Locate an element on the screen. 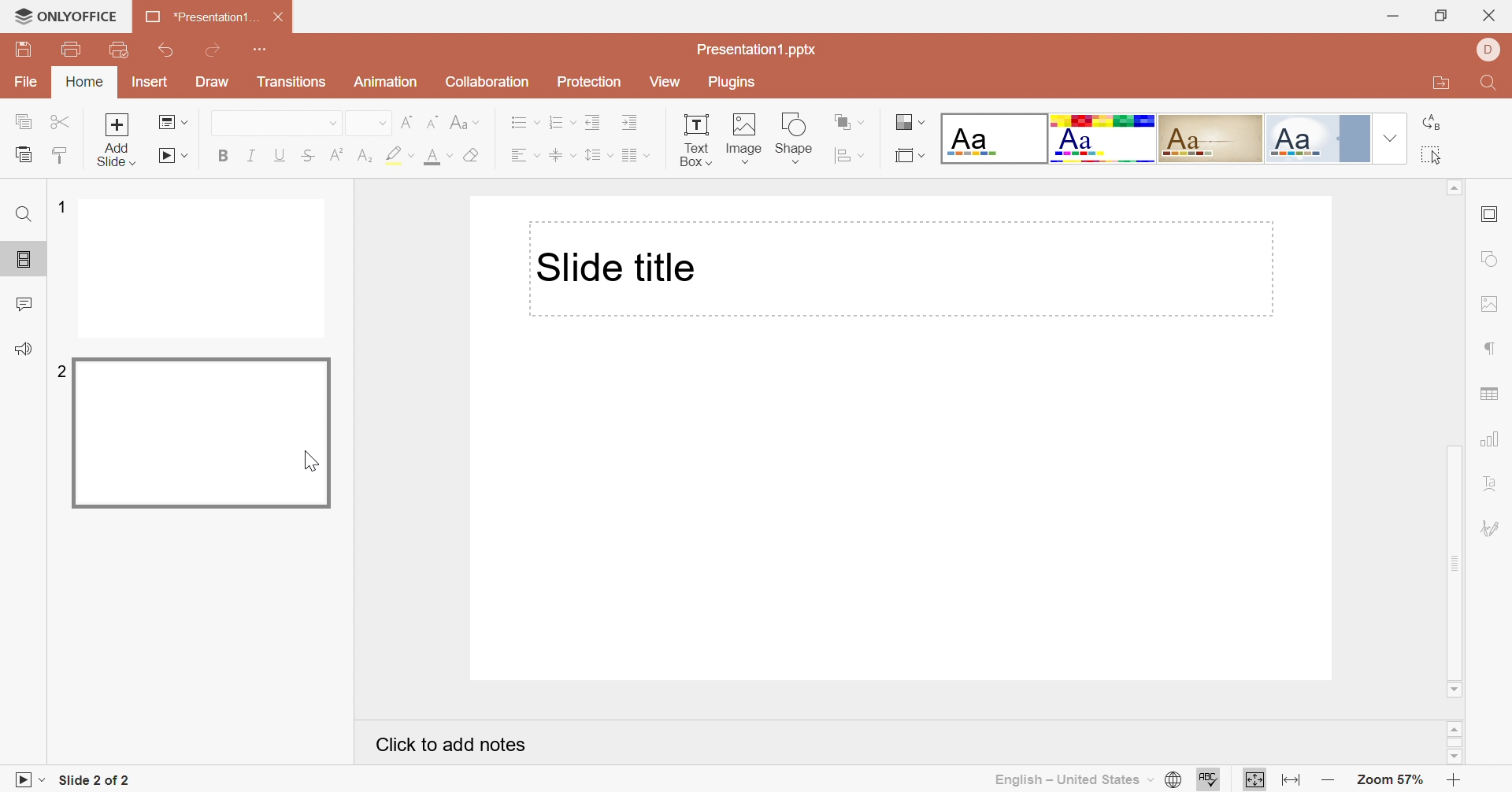 The height and width of the screenshot is (792, 1512). Chart settings is located at coordinates (1487, 439).